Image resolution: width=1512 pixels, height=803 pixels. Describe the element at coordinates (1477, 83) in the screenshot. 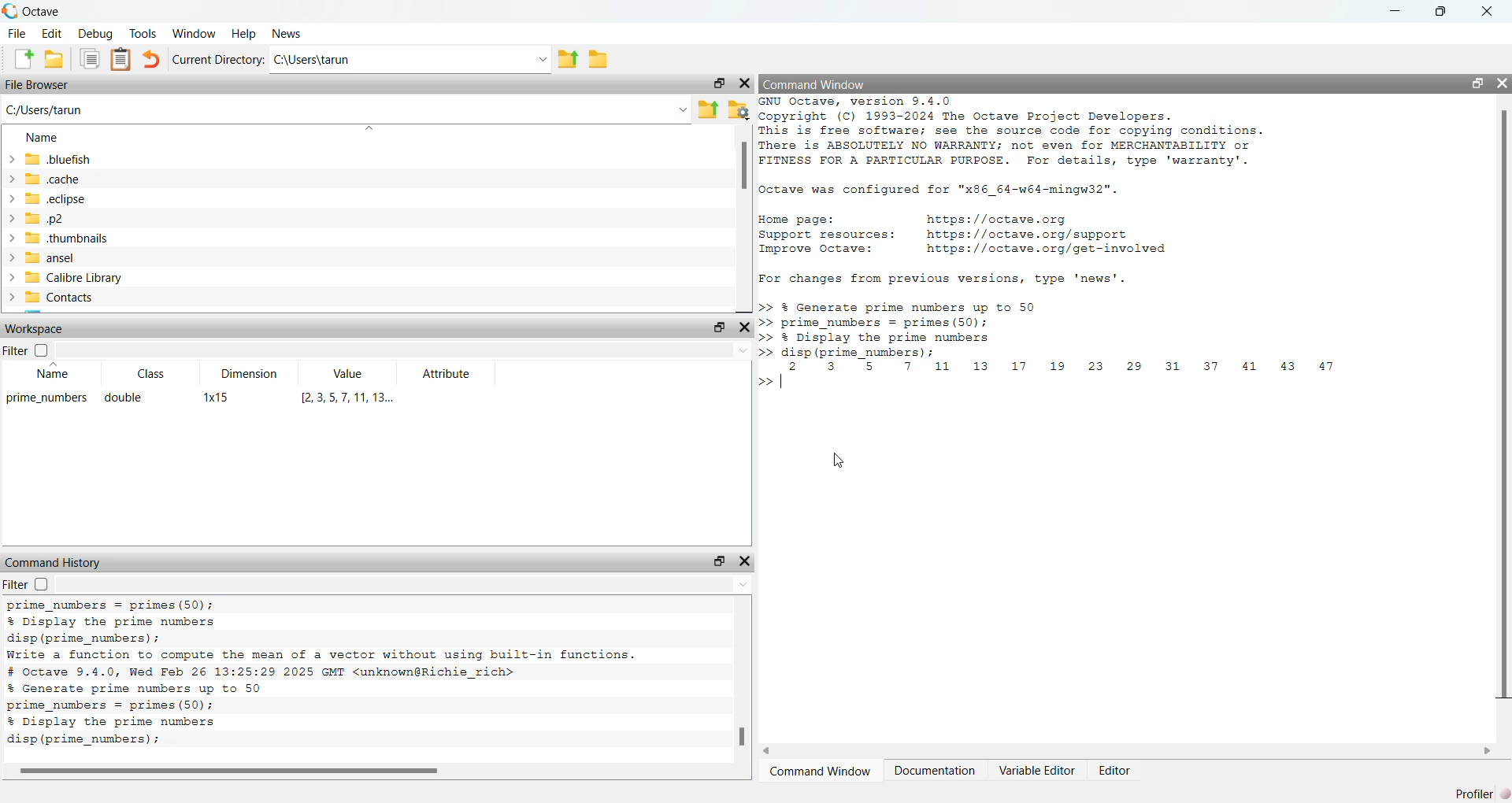

I see `open in separate window` at that location.